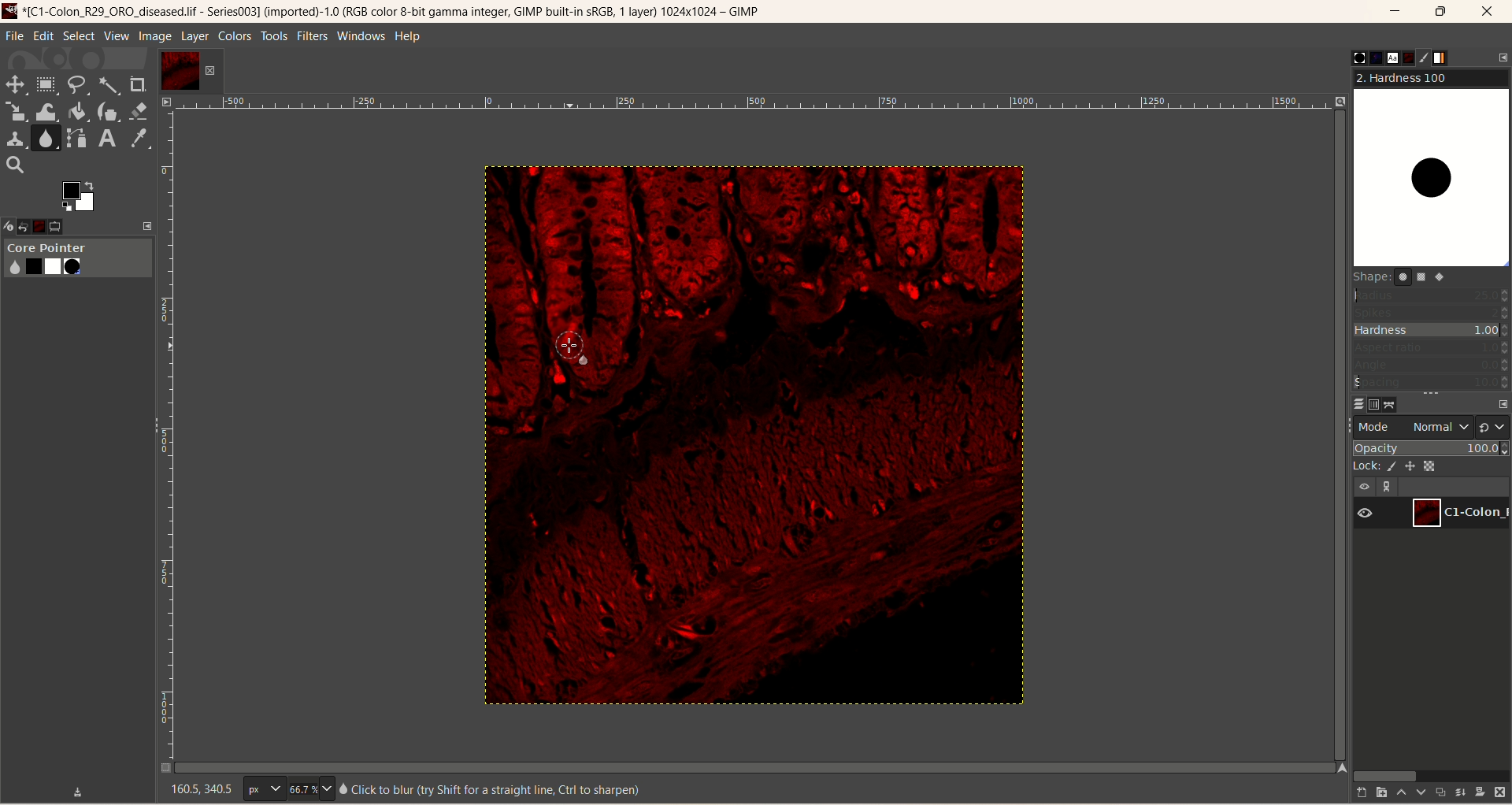 The height and width of the screenshot is (805, 1512). What do you see at coordinates (44, 35) in the screenshot?
I see `edit` at bounding box center [44, 35].